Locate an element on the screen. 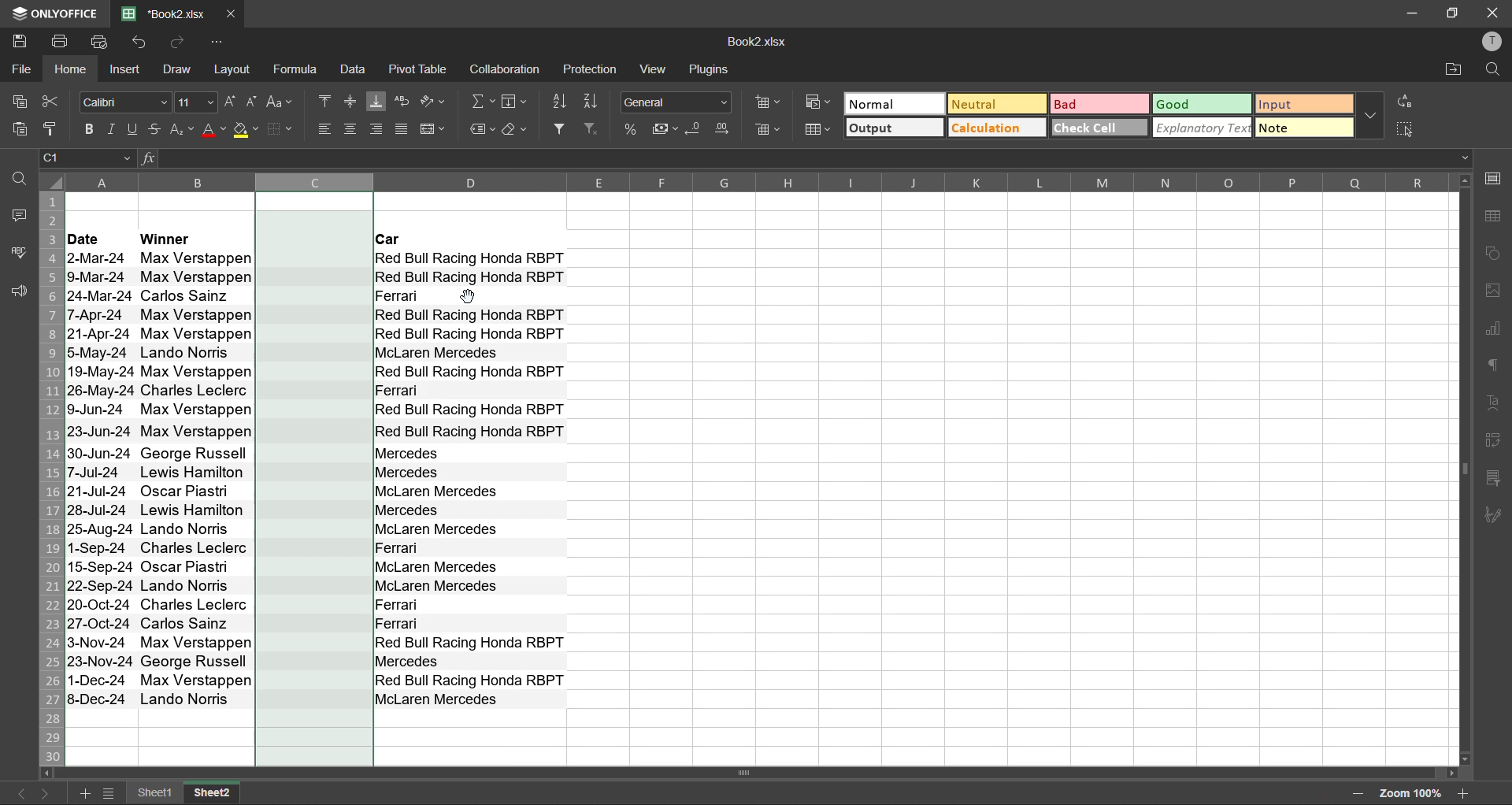 This screenshot has width=1512, height=805. copy style is located at coordinates (56, 130).